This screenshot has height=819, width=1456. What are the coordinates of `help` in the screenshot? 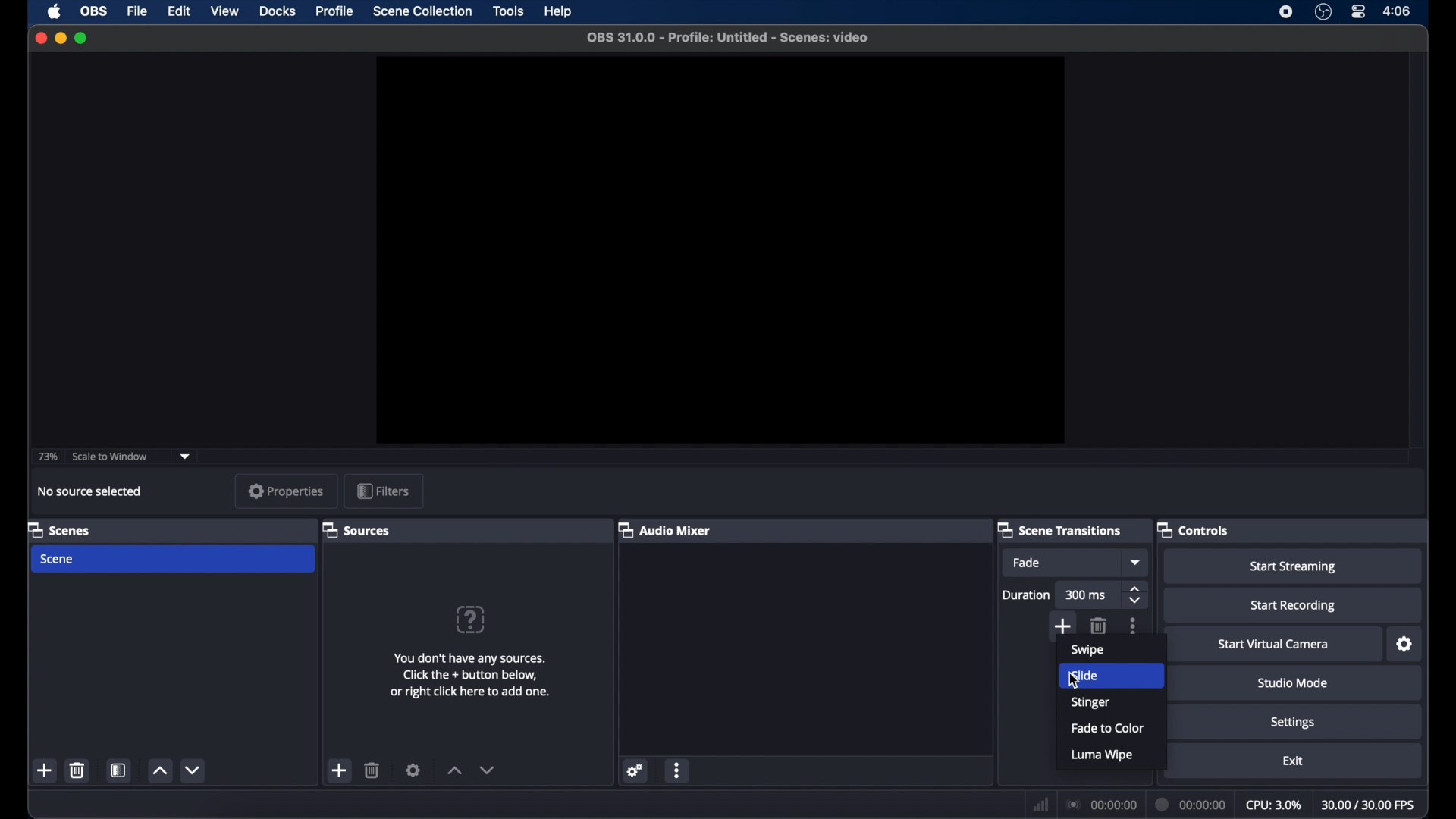 It's located at (560, 12).